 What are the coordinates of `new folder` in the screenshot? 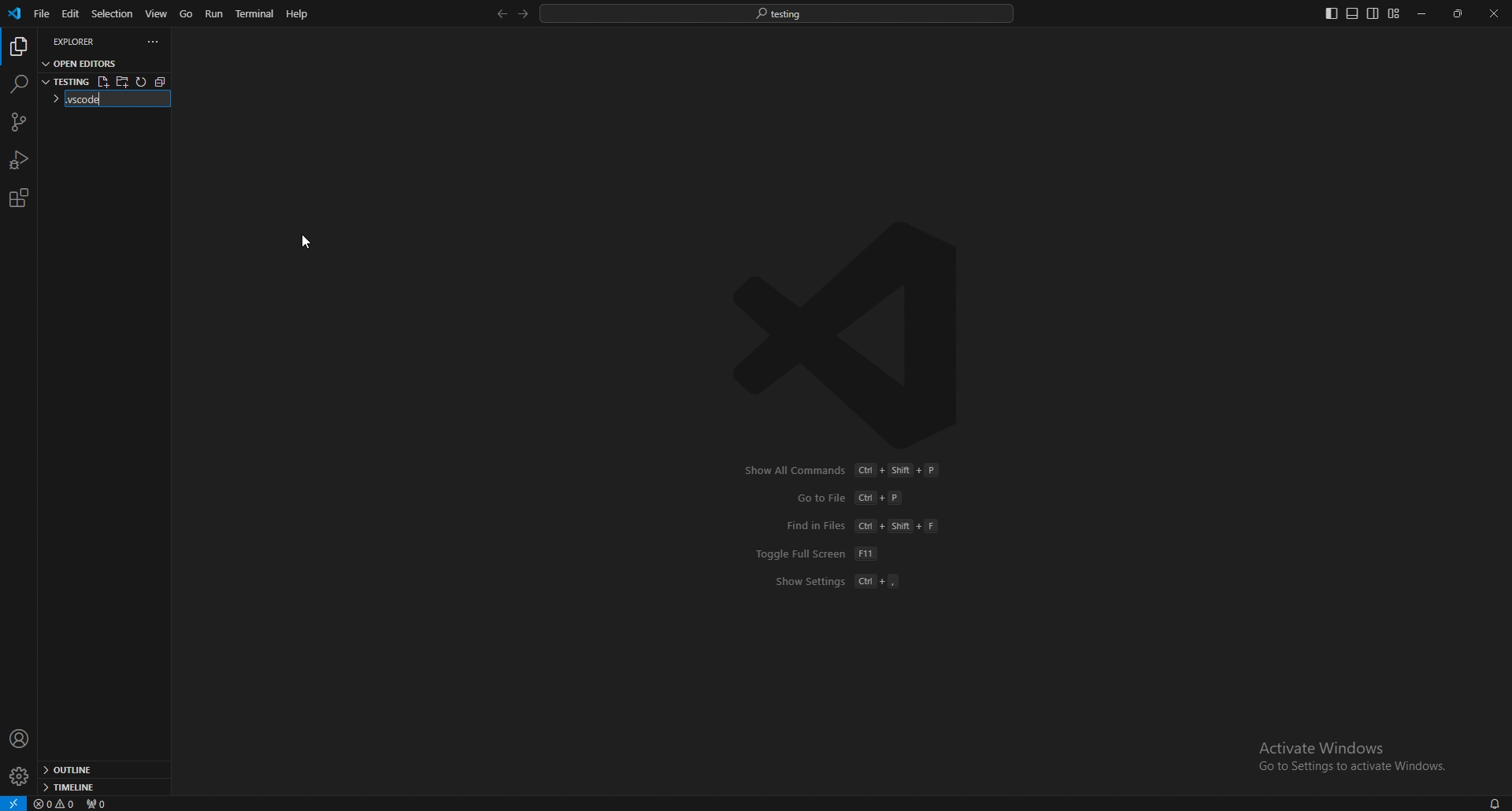 It's located at (123, 81).